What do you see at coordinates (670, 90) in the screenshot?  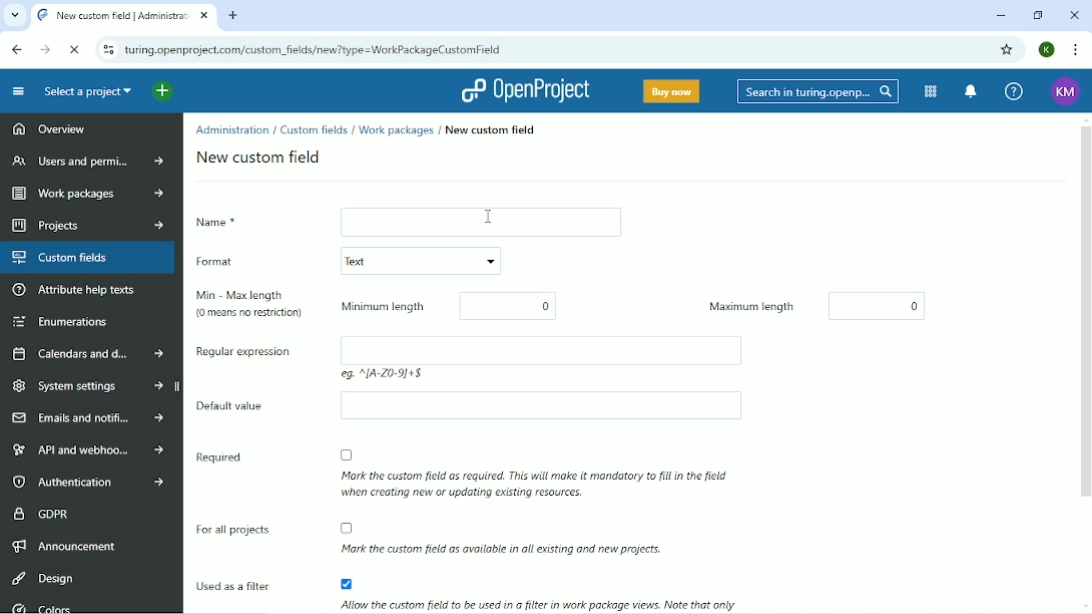 I see `Buy now` at bounding box center [670, 90].